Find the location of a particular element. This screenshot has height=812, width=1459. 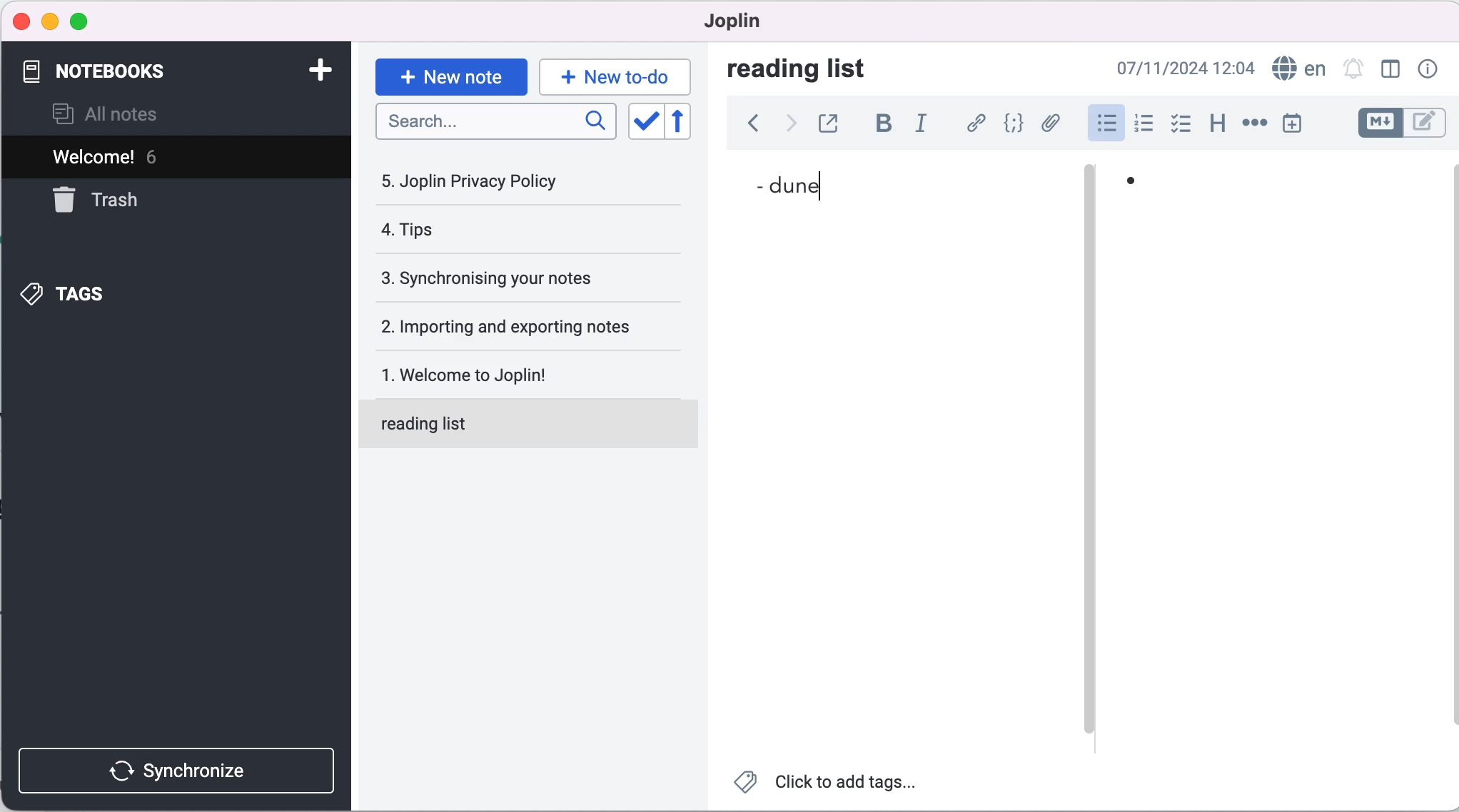

checkbox is located at coordinates (1183, 126).